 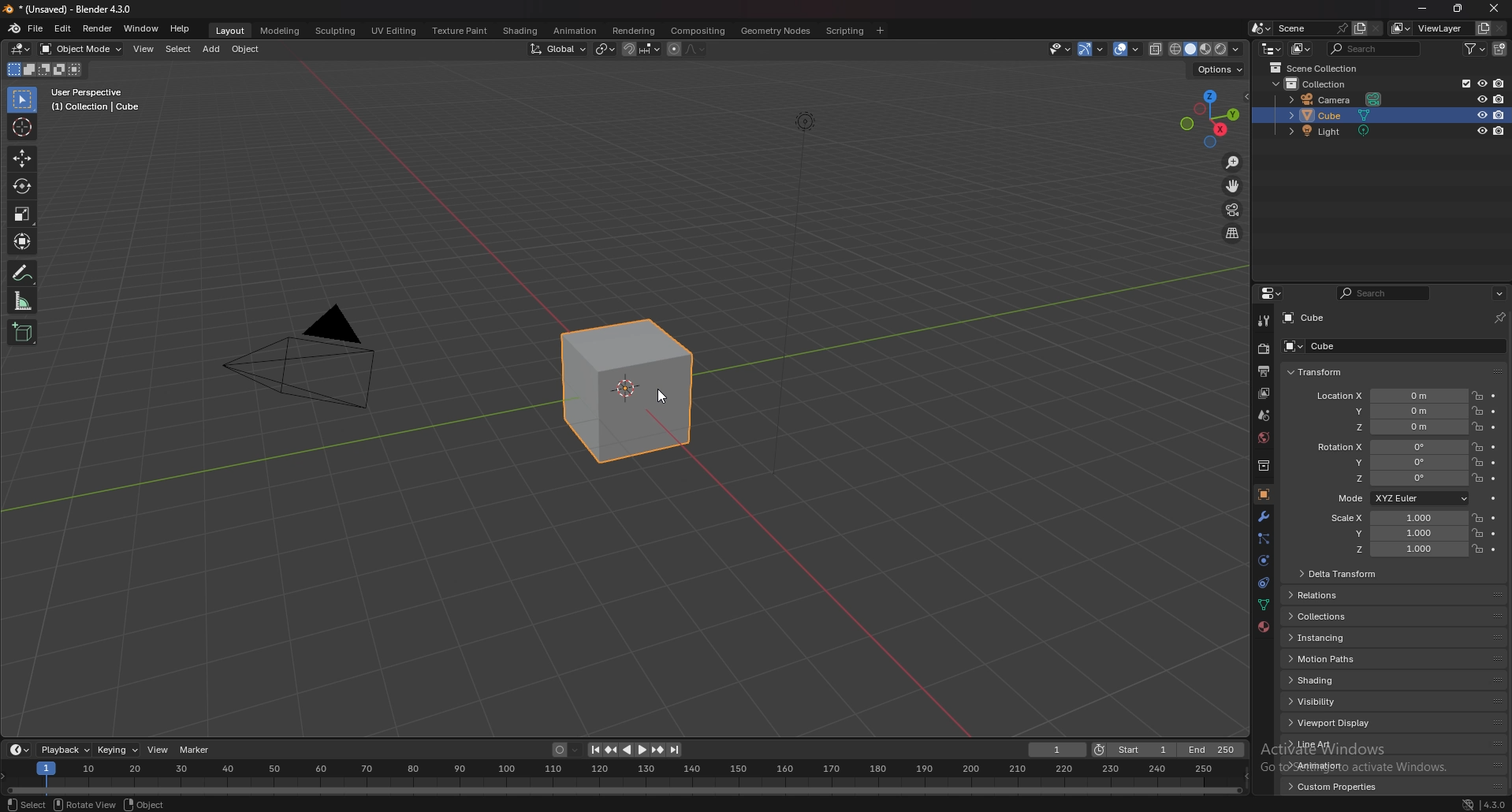 I want to click on location y, so click(x=1389, y=411).